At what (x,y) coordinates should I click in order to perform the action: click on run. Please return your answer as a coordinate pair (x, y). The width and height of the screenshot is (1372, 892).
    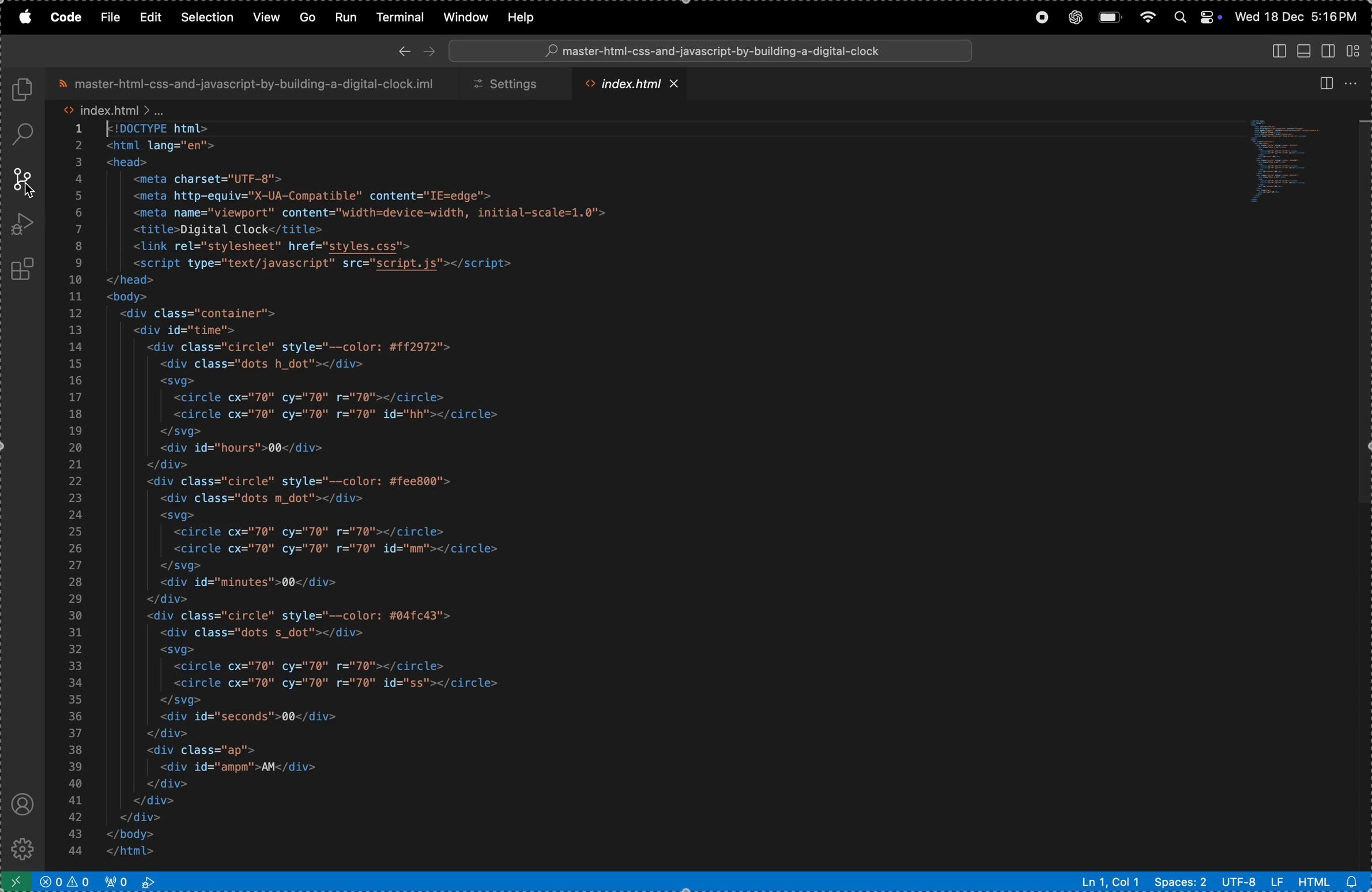
    Looking at the image, I should click on (342, 16).